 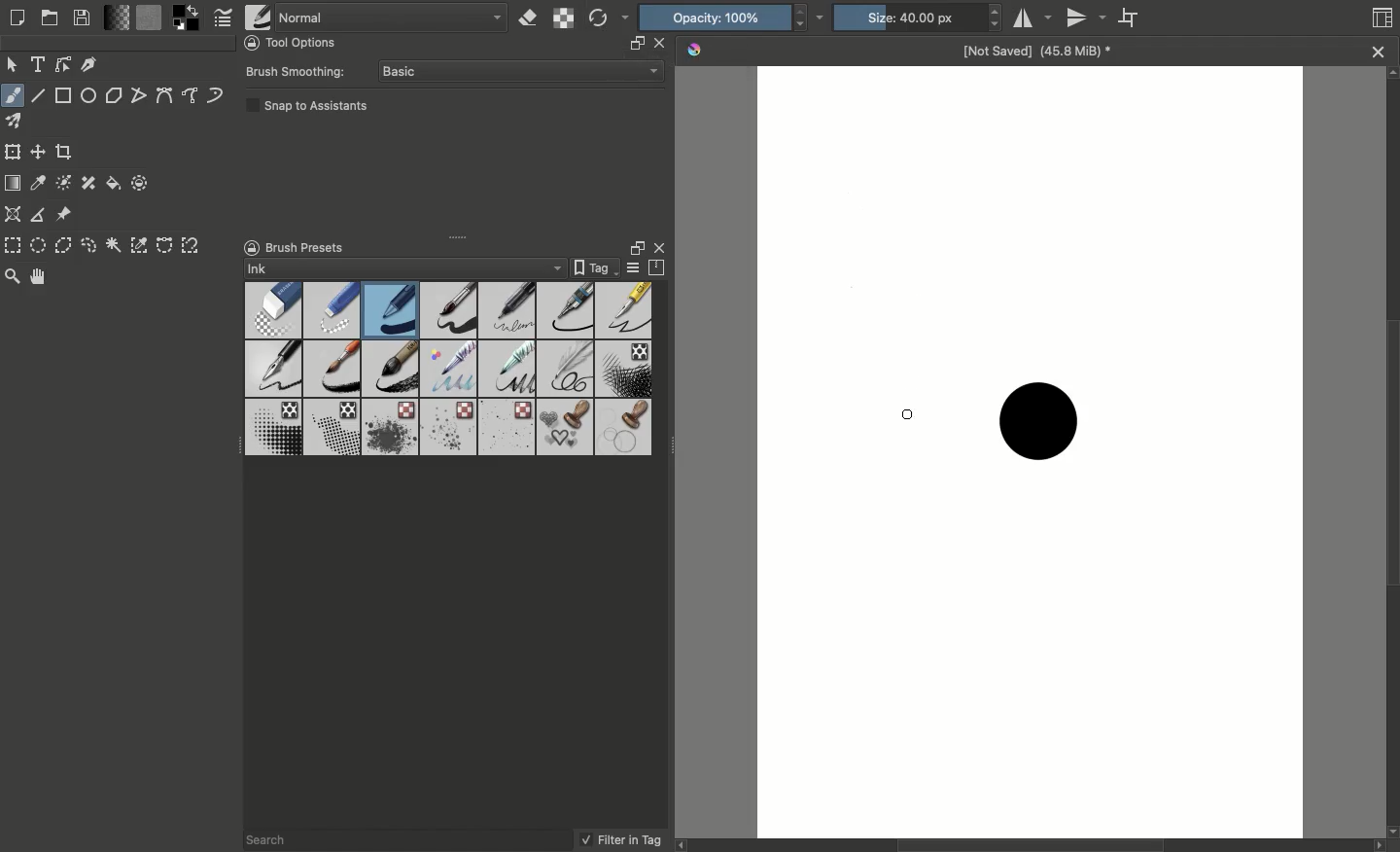 What do you see at coordinates (403, 268) in the screenshot?
I see `Ink` at bounding box center [403, 268].